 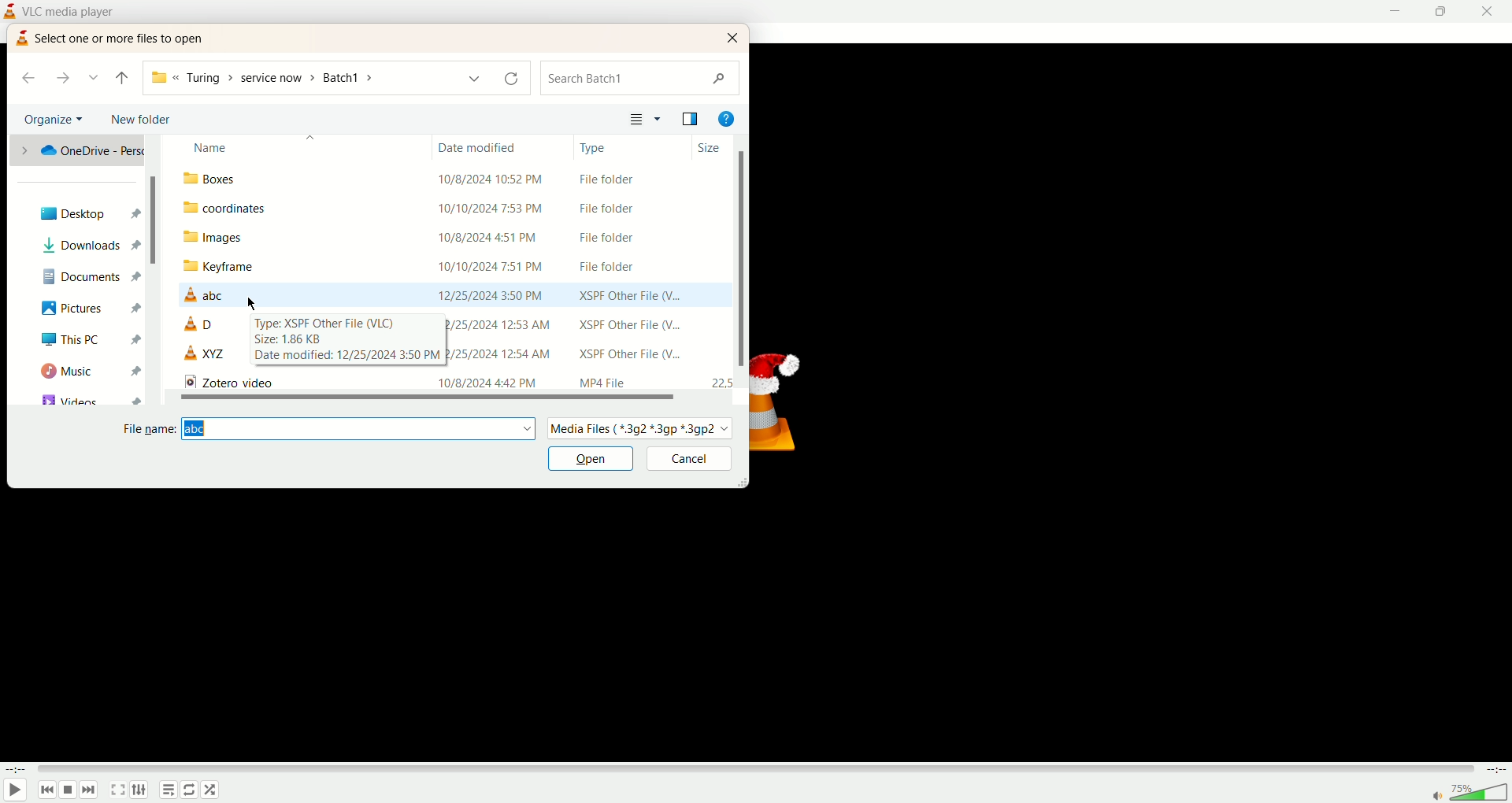 I want to click on desktop, so click(x=86, y=214).